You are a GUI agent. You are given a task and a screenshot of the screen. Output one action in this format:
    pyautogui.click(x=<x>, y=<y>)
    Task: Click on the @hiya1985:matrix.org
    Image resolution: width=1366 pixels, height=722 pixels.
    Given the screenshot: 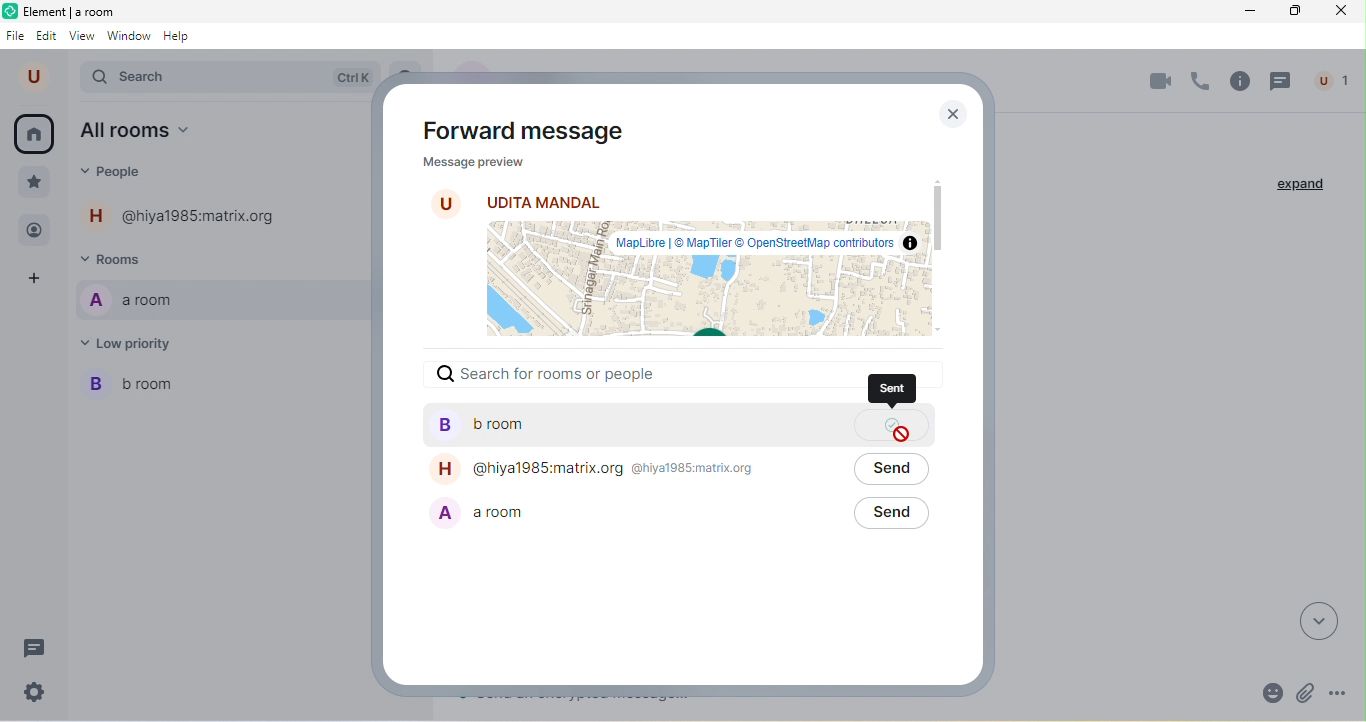 What is the action you would take?
    pyautogui.click(x=630, y=470)
    